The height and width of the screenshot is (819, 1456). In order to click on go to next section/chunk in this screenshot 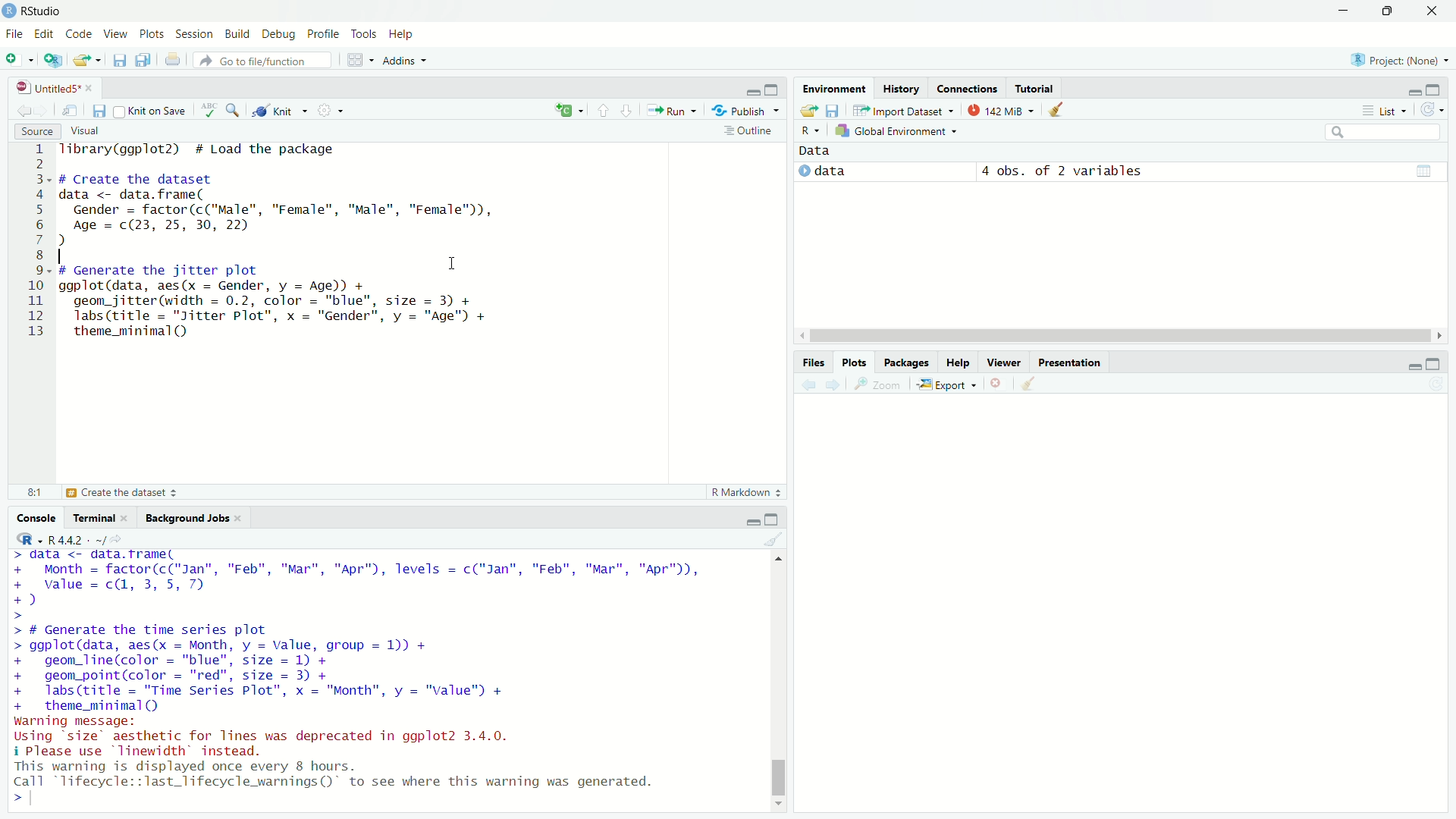, I will do `click(627, 110)`.